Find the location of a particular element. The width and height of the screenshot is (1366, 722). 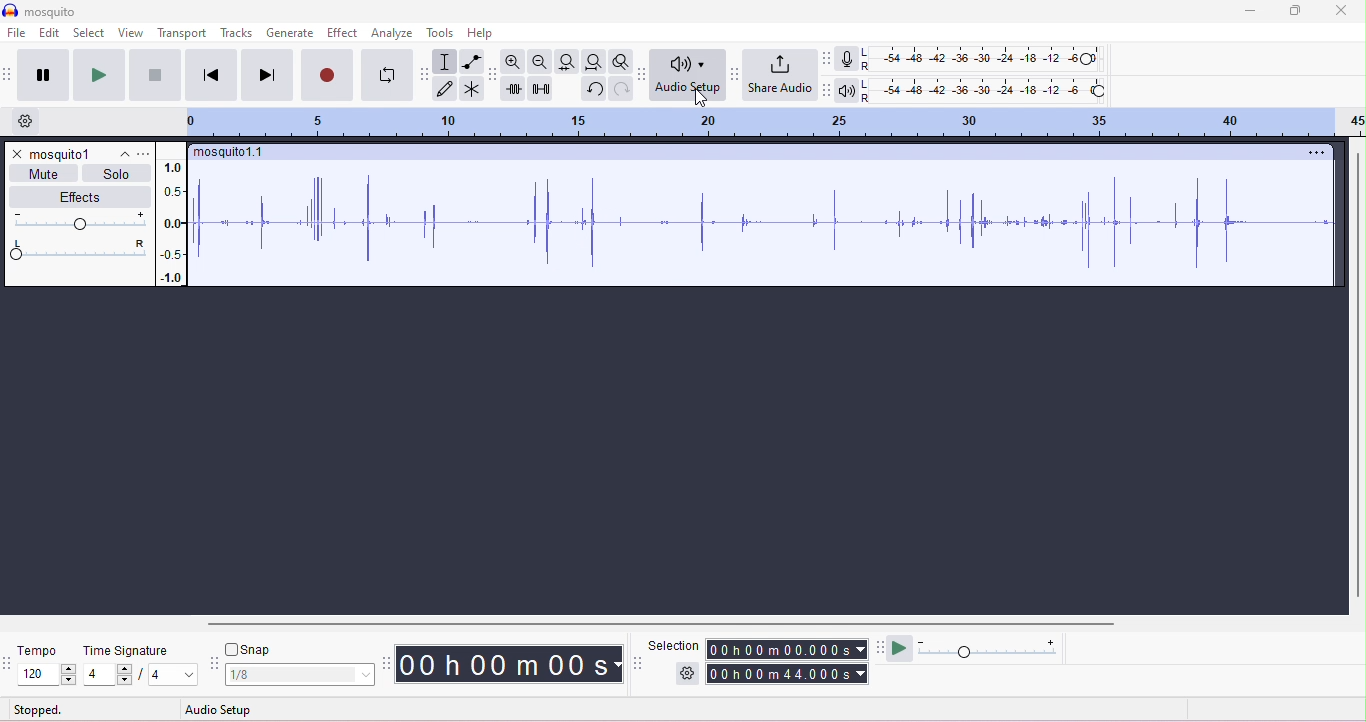

tempo is located at coordinates (35, 650).